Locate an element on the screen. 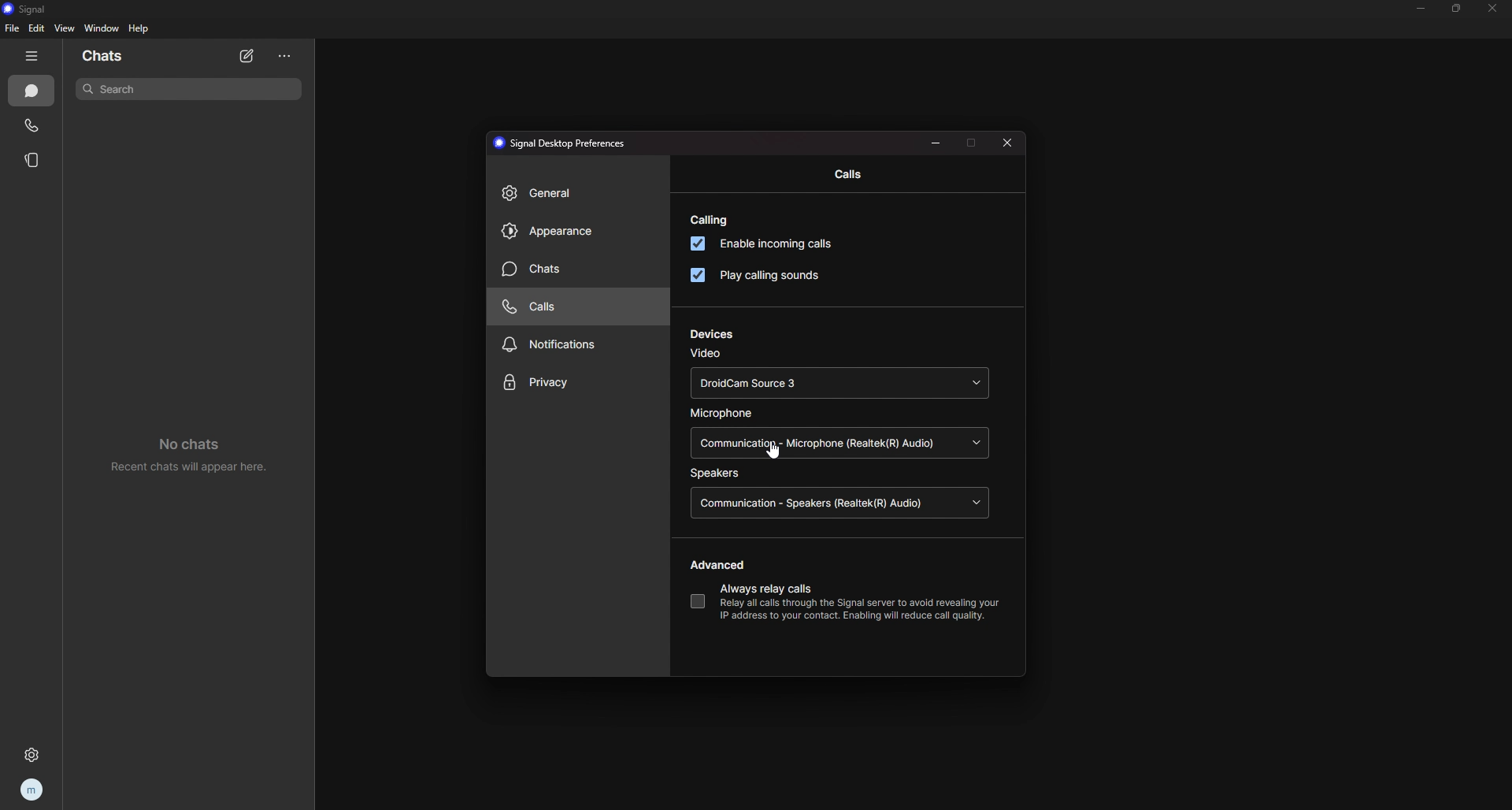 The image size is (1512, 810). resize is located at coordinates (1457, 9).